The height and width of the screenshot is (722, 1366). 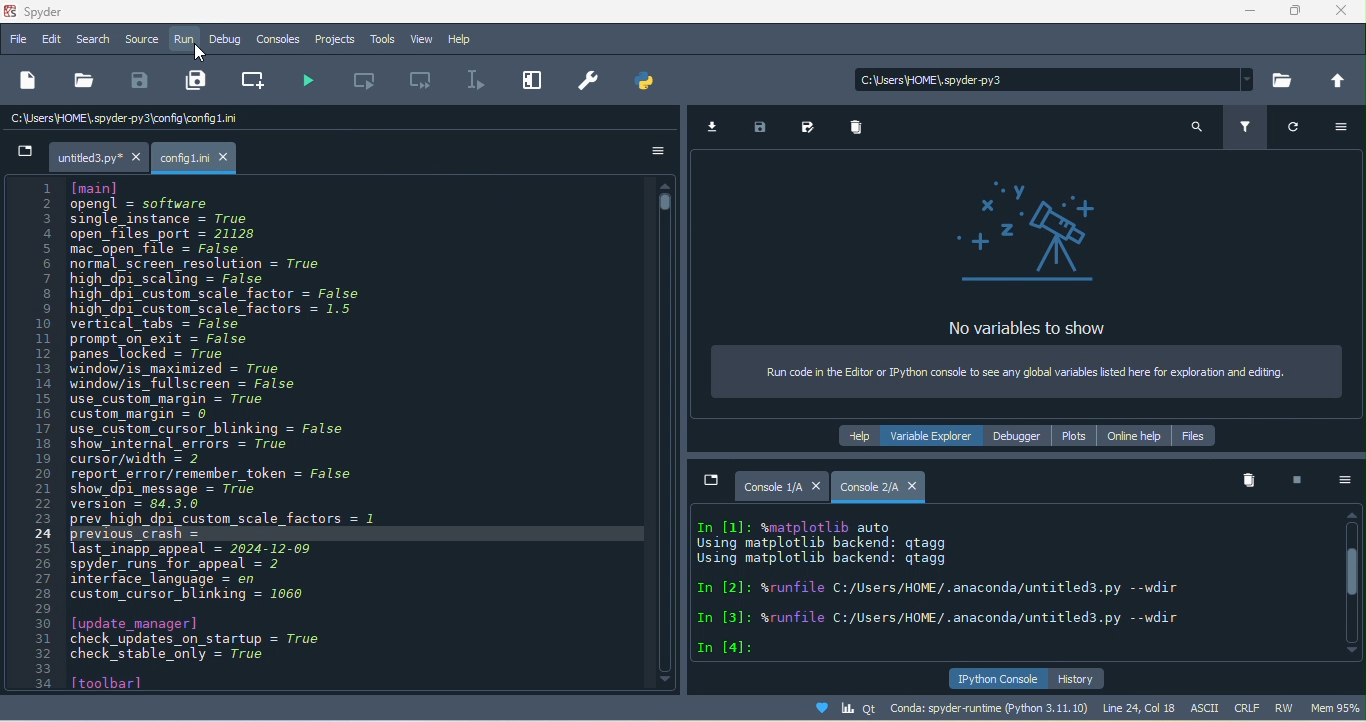 What do you see at coordinates (336, 40) in the screenshot?
I see `projects` at bounding box center [336, 40].